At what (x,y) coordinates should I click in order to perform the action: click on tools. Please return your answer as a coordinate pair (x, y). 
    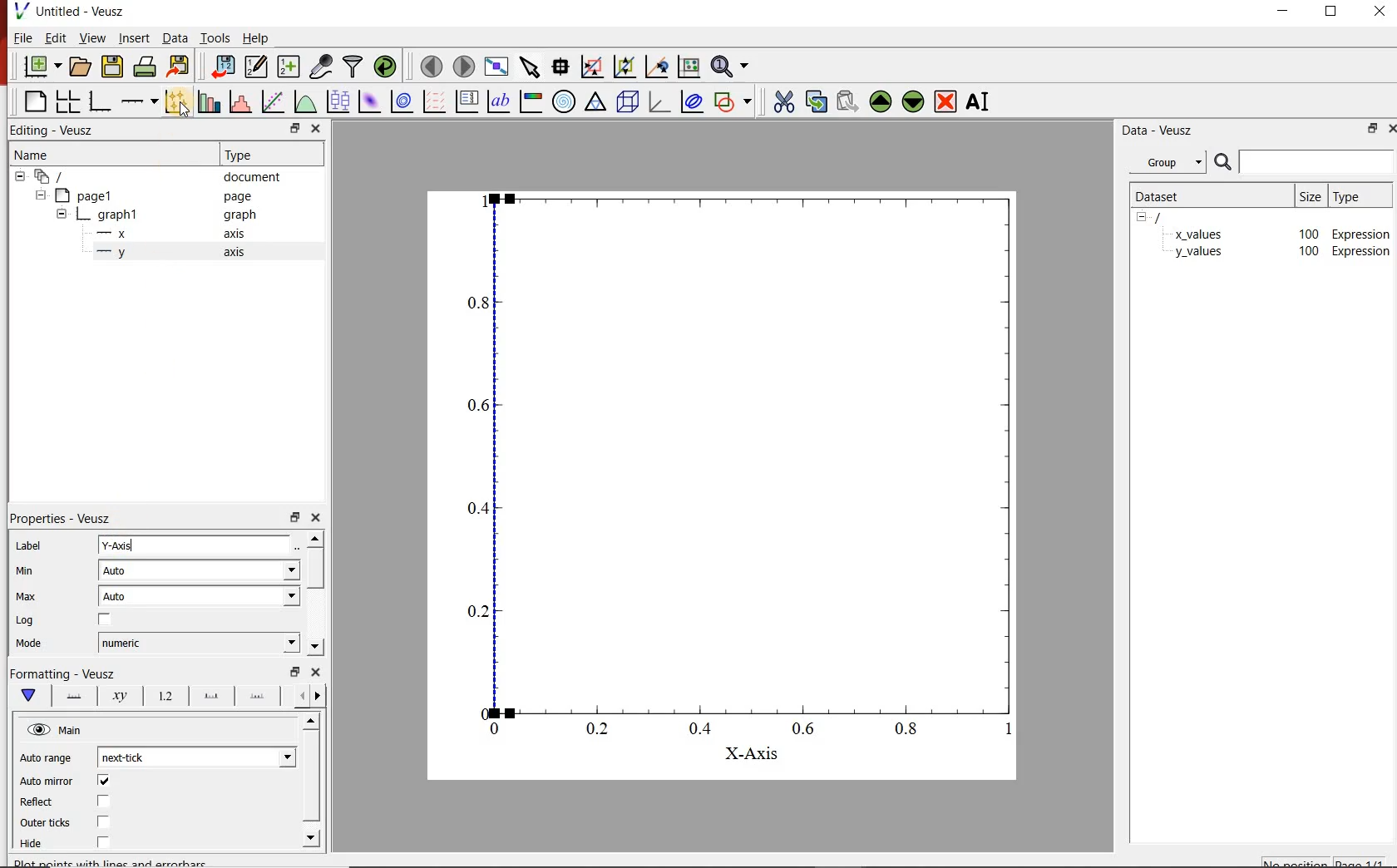
    Looking at the image, I should click on (217, 37).